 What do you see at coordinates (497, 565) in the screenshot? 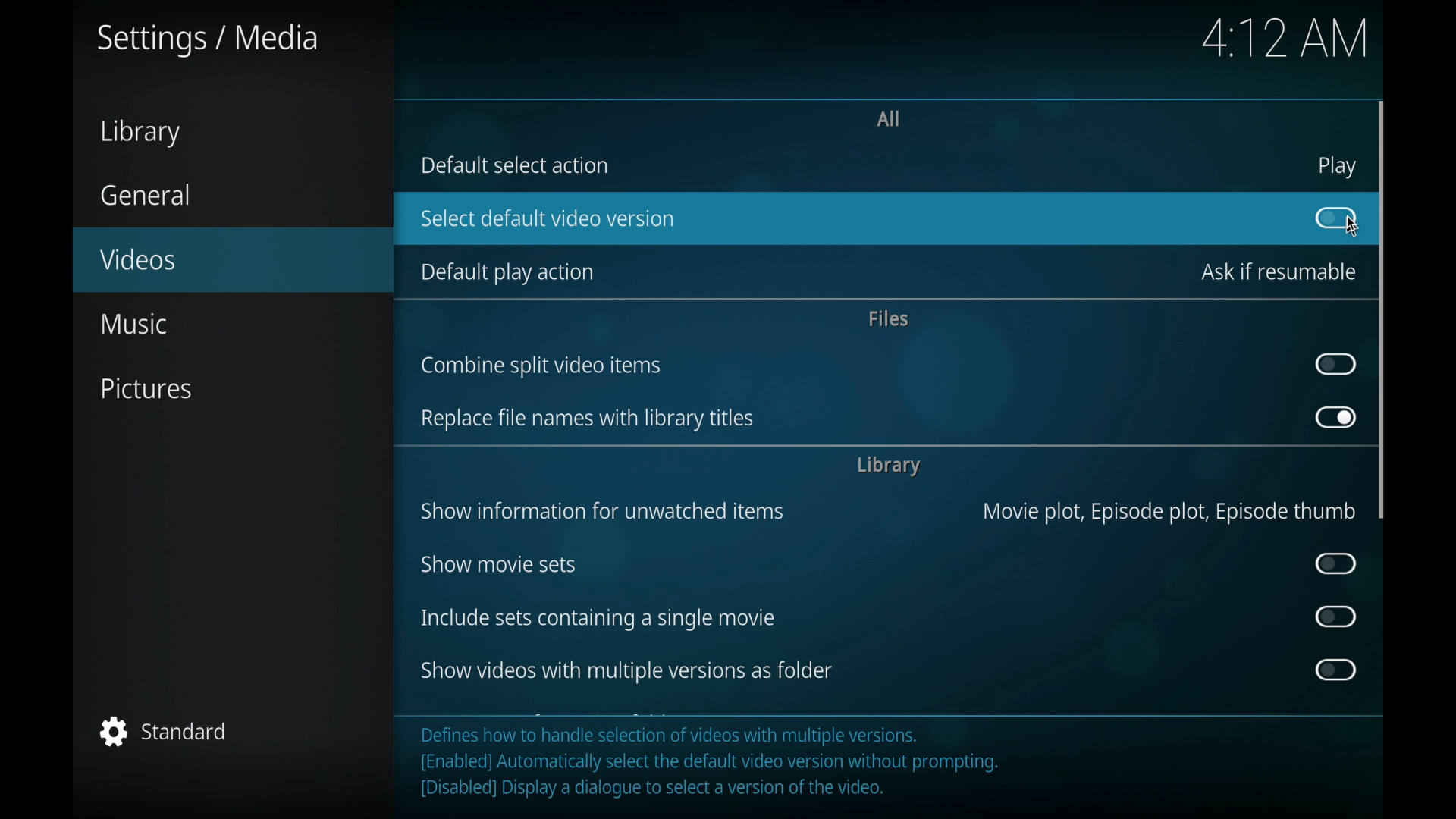
I see `show movie sets` at bounding box center [497, 565].